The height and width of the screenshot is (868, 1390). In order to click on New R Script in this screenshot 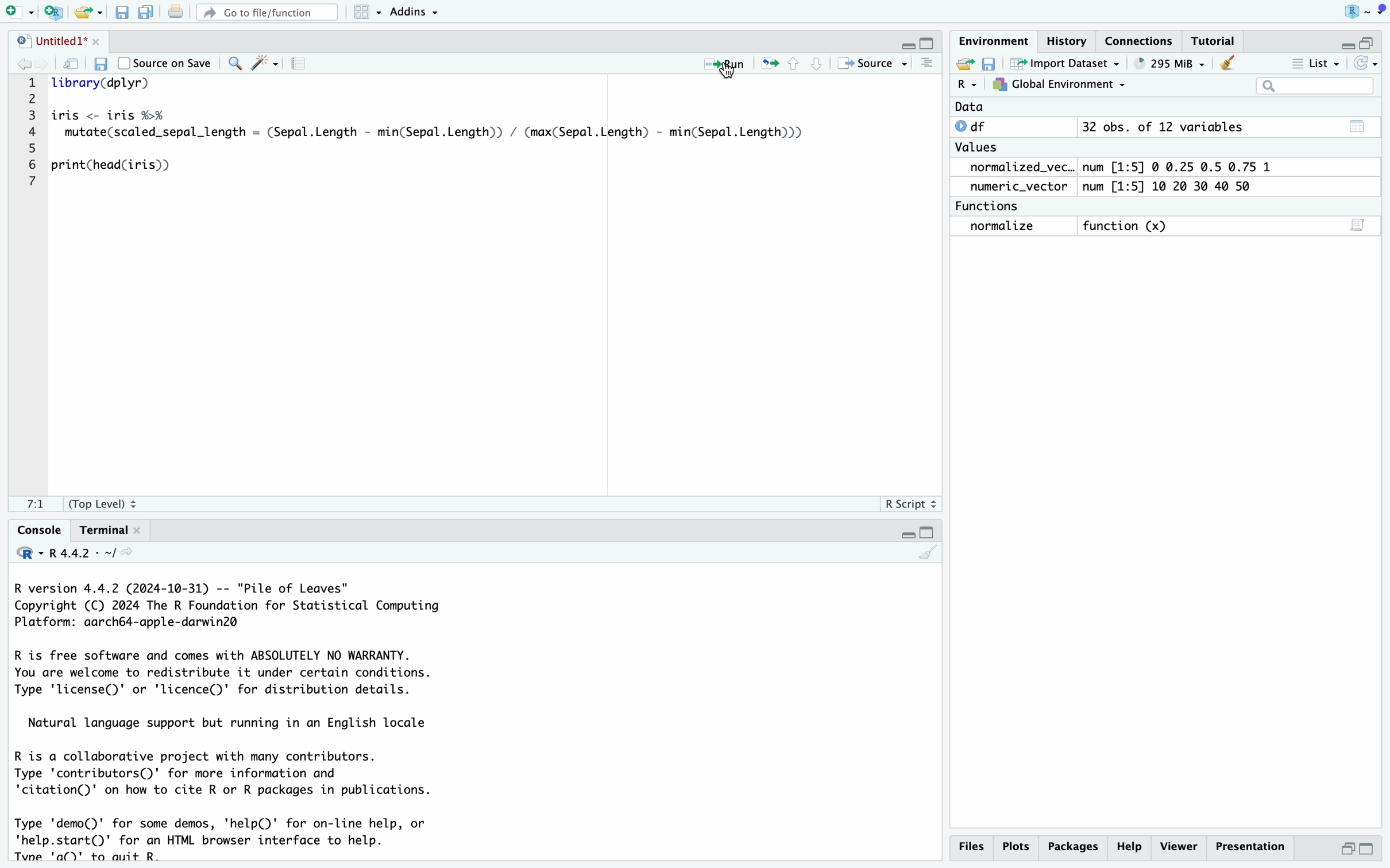, I will do `click(53, 13)`.